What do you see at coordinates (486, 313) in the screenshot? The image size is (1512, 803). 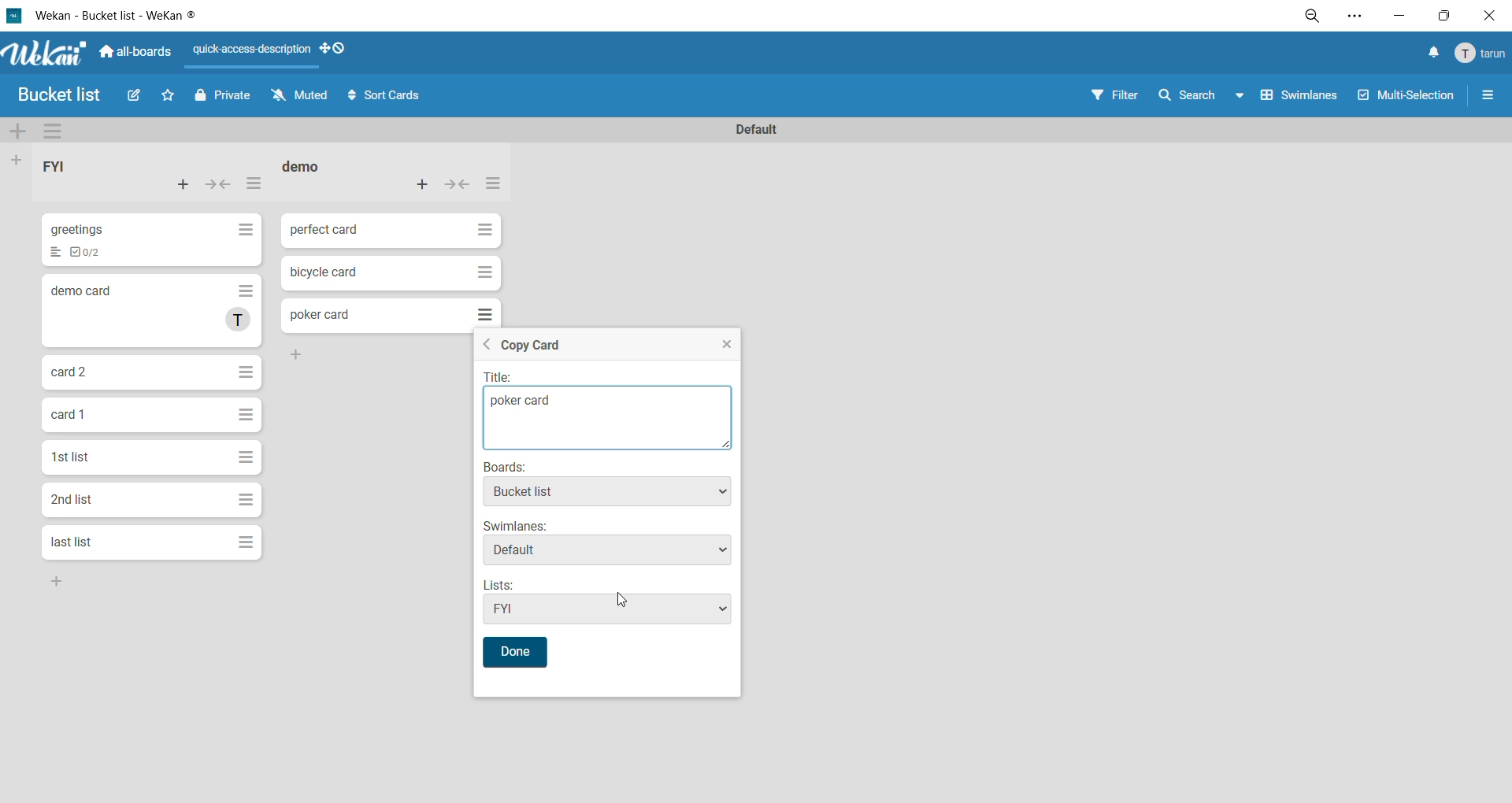 I see `Hamburger` at bounding box center [486, 313].